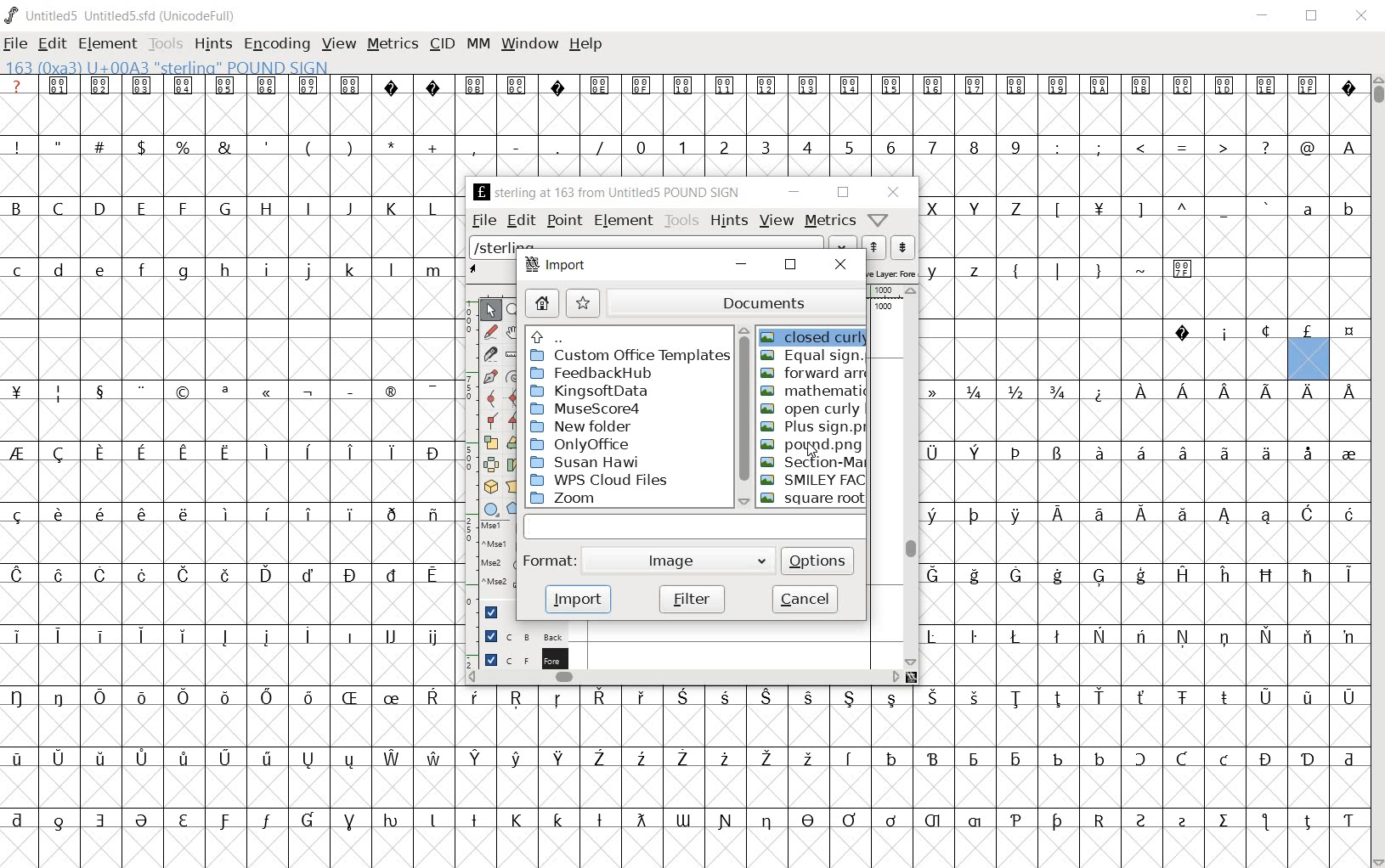 This screenshot has height=868, width=1385. I want to click on Symbol, so click(977, 454).